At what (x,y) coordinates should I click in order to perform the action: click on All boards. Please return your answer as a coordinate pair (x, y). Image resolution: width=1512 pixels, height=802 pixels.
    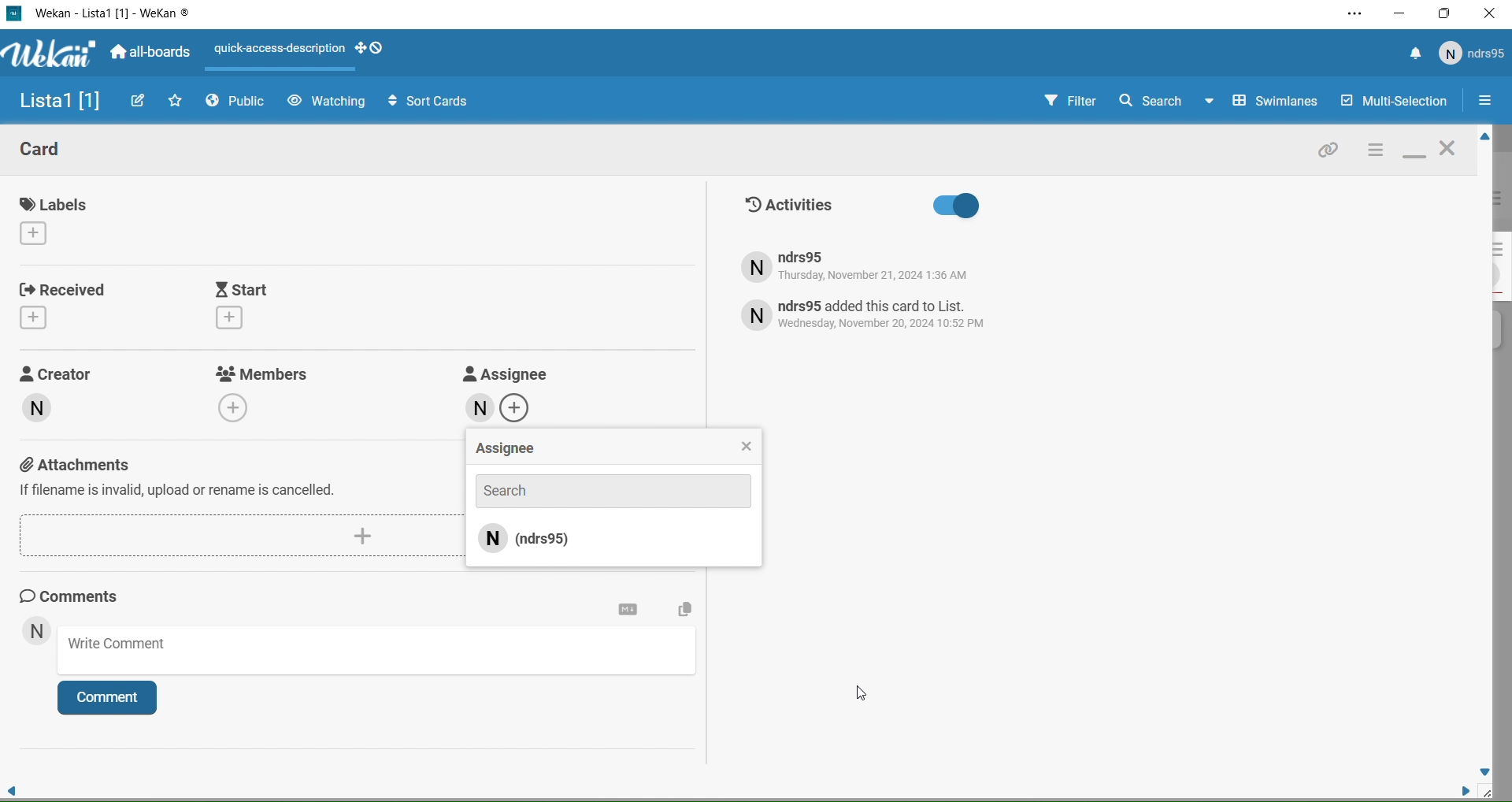
    Looking at the image, I should click on (152, 54).